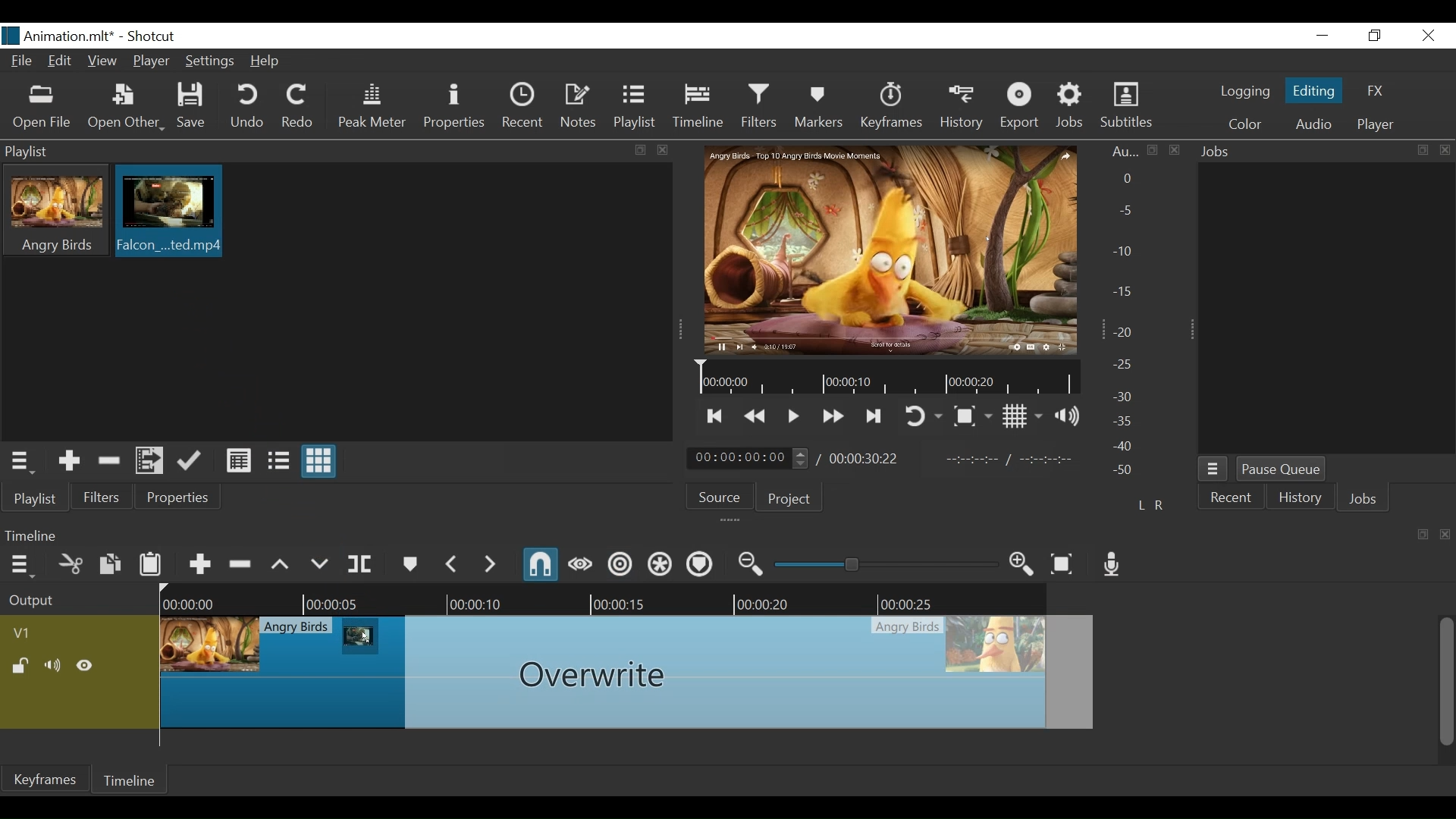 The height and width of the screenshot is (819, 1456). Describe the element at coordinates (522, 105) in the screenshot. I see `Recent` at that location.